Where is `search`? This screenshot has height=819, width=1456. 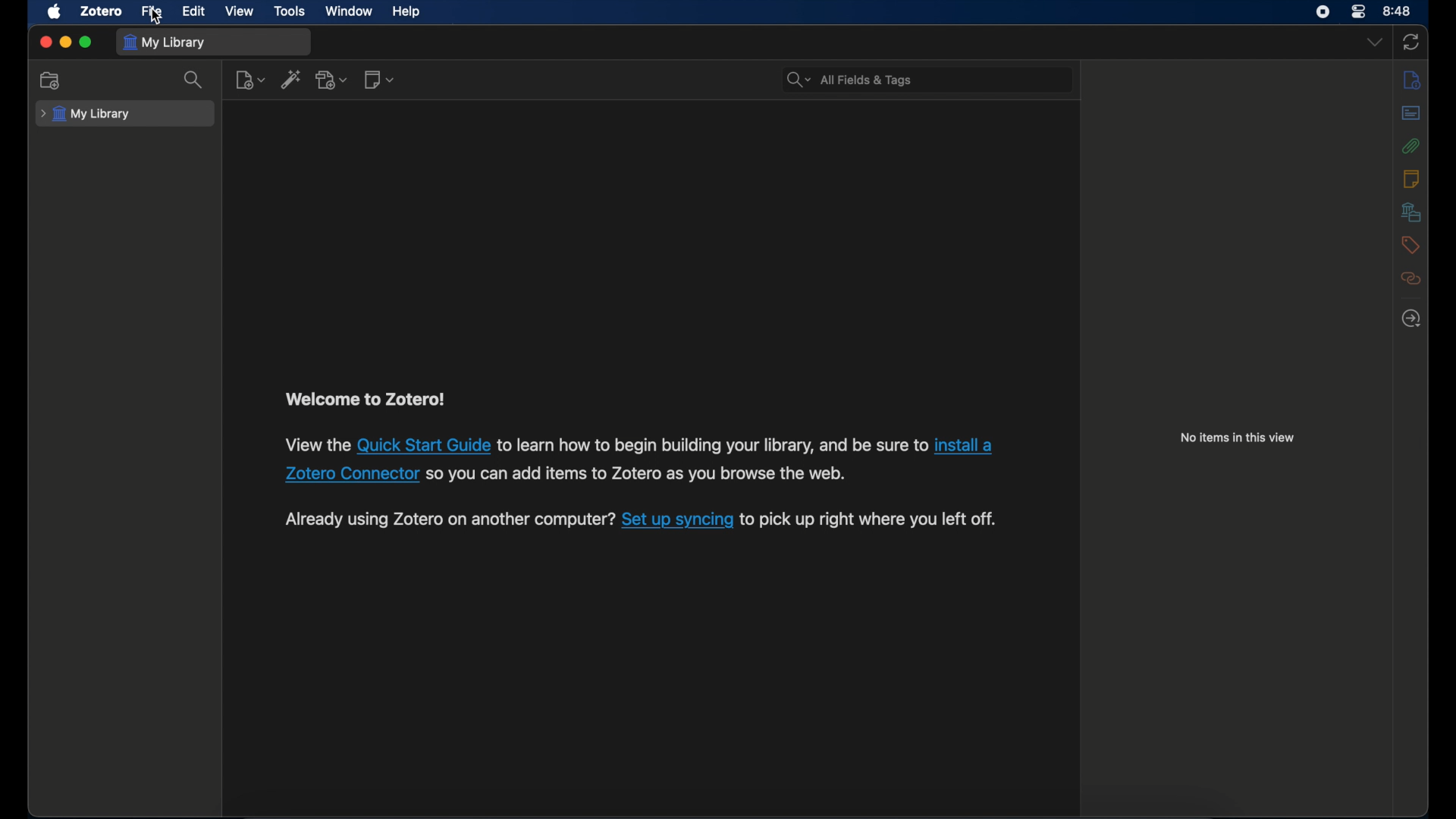
search is located at coordinates (196, 80).